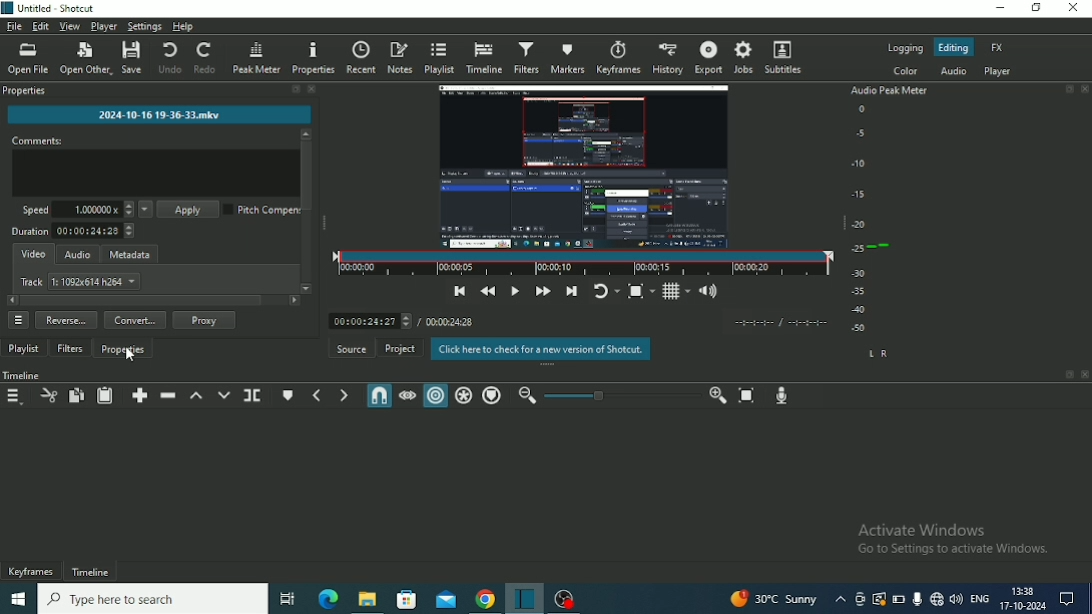 The height and width of the screenshot is (614, 1092). I want to click on Properties, so click(26, 91).